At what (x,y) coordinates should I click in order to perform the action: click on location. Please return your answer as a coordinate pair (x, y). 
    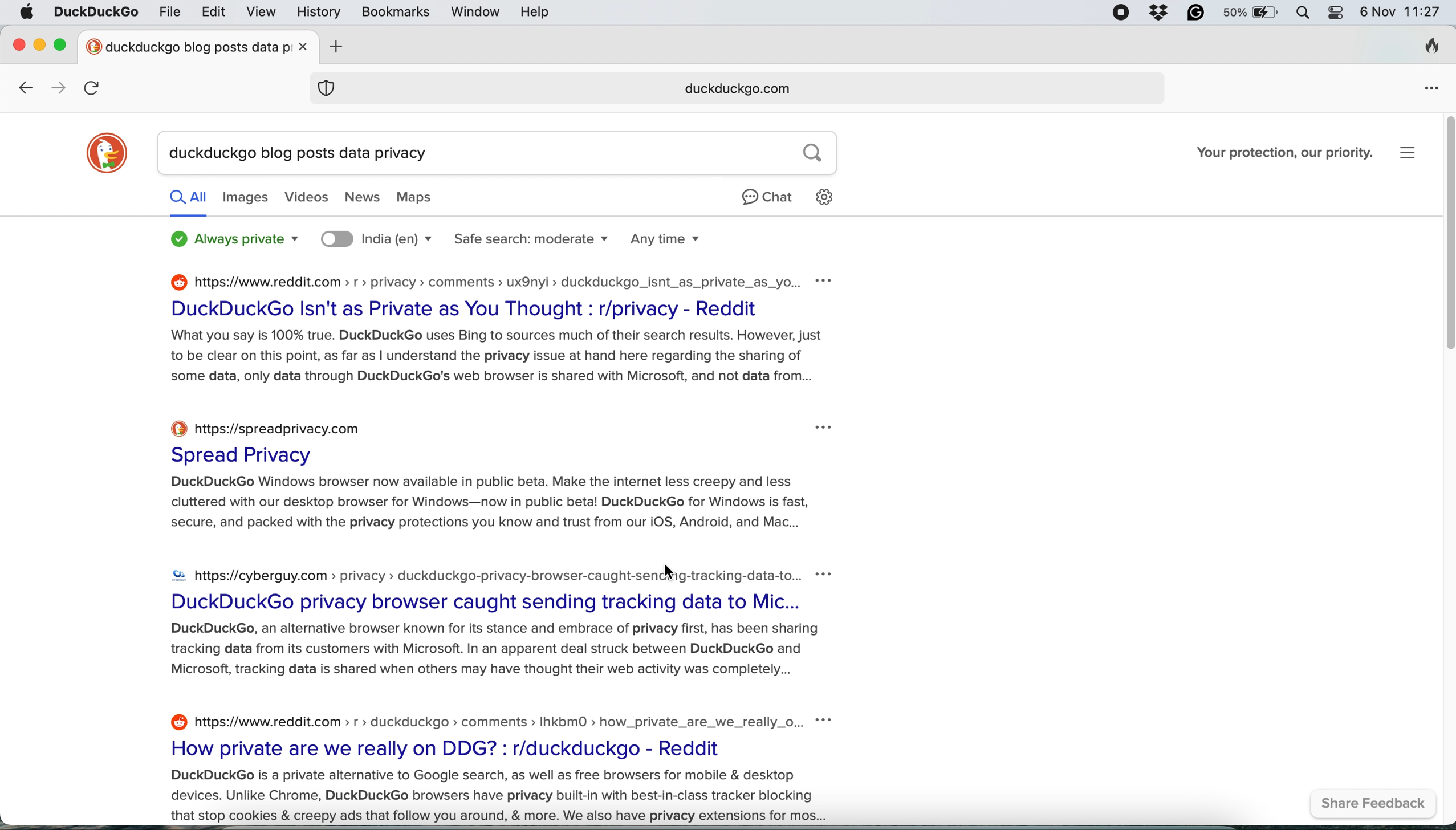
    Looking at the image, I should click on (375, 239).